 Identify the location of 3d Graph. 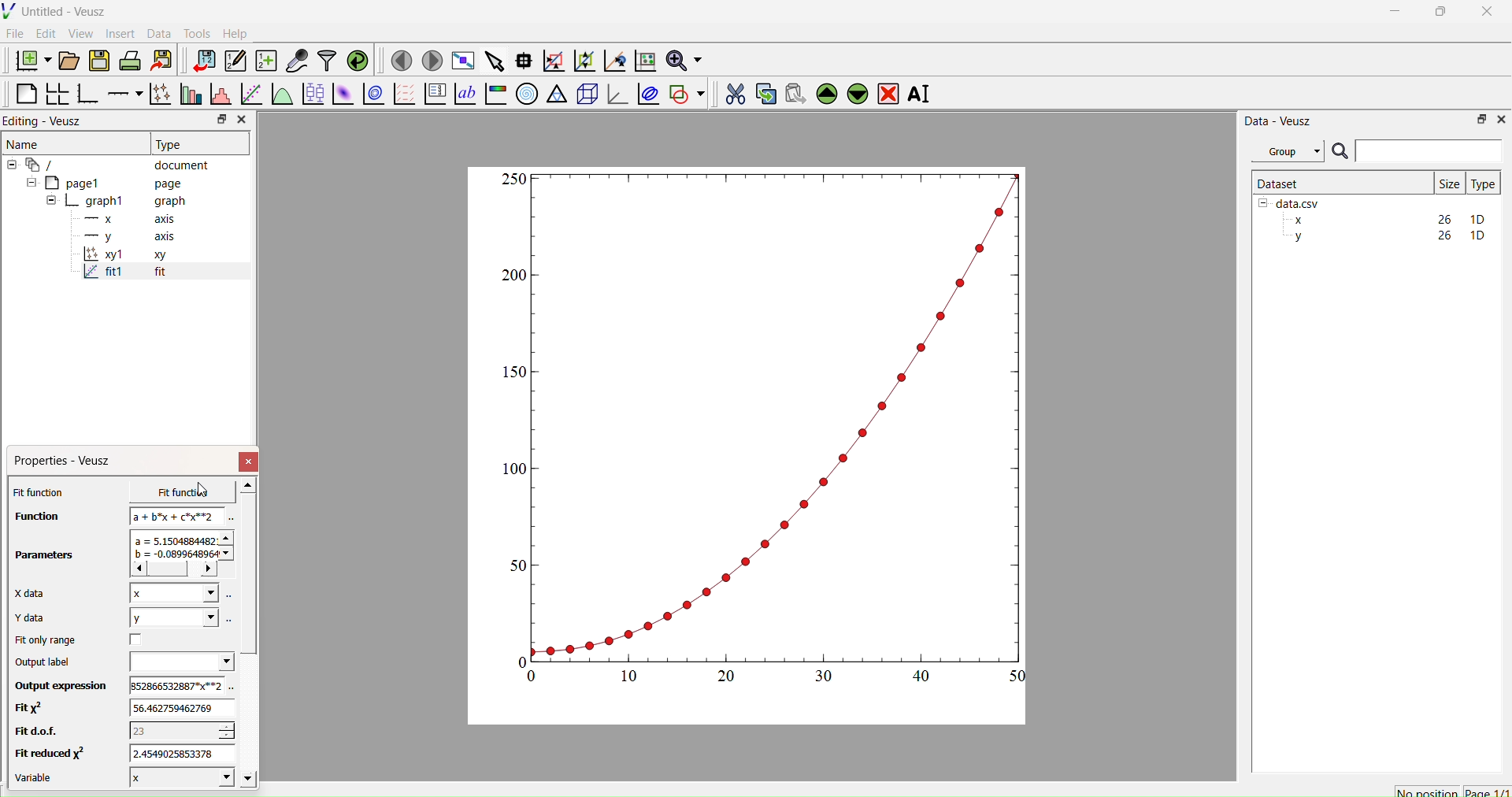
(614, 93).